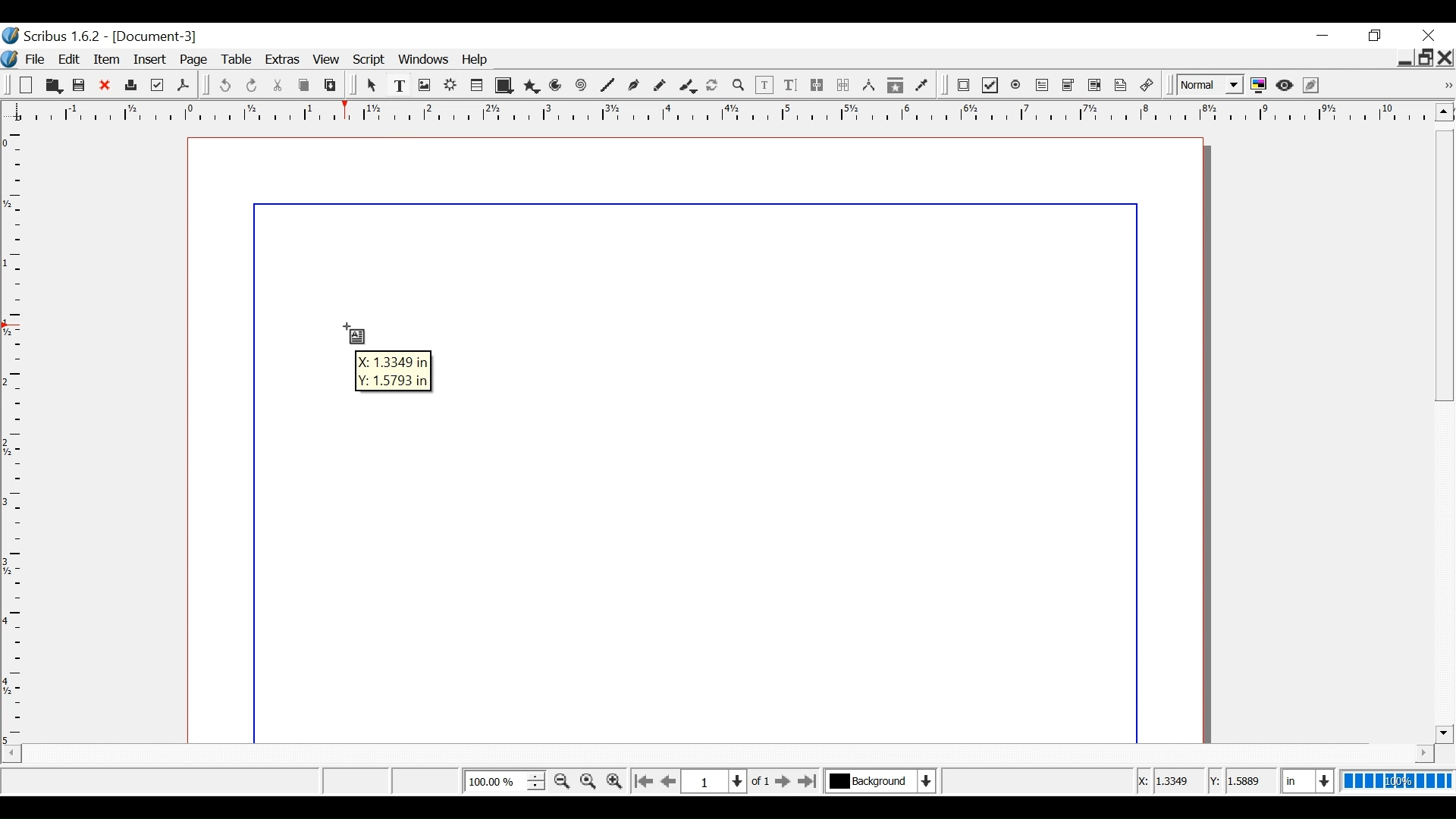  I want to click on Item, so click(107, 60).